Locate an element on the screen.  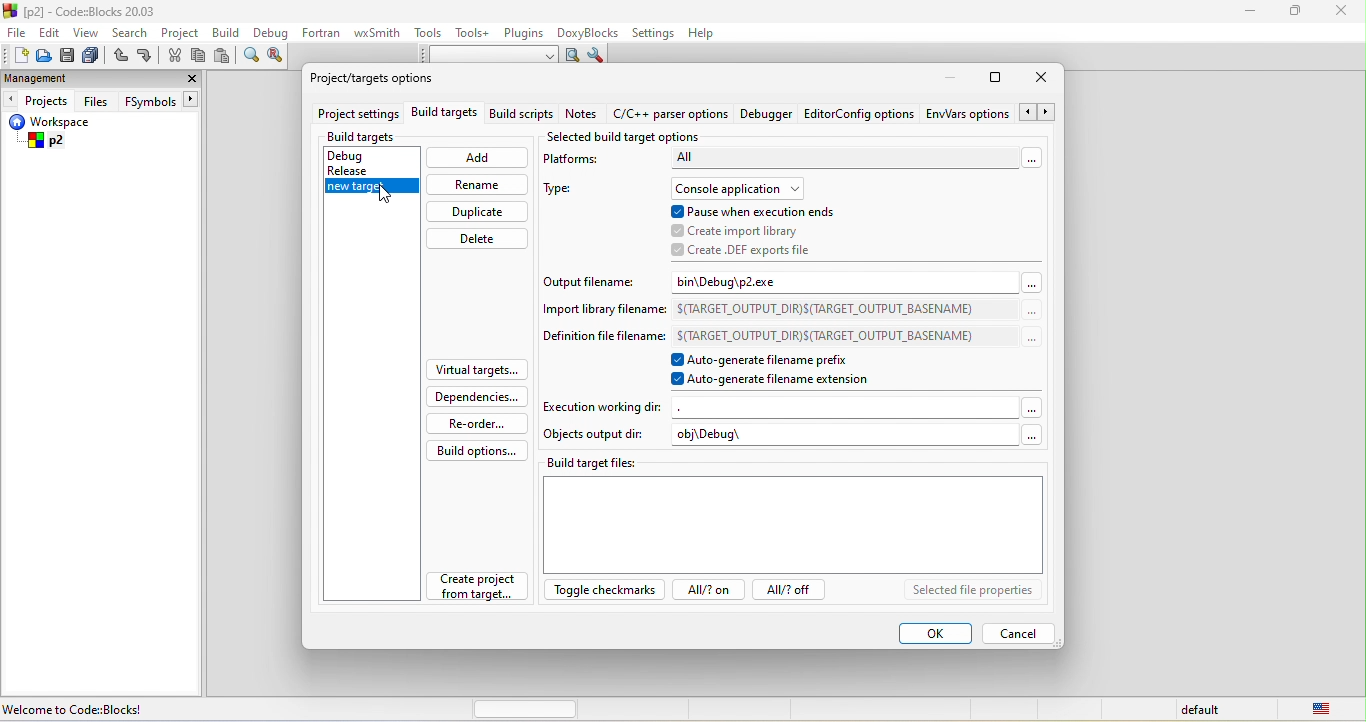
fortran is located at coordinates (324, 36).